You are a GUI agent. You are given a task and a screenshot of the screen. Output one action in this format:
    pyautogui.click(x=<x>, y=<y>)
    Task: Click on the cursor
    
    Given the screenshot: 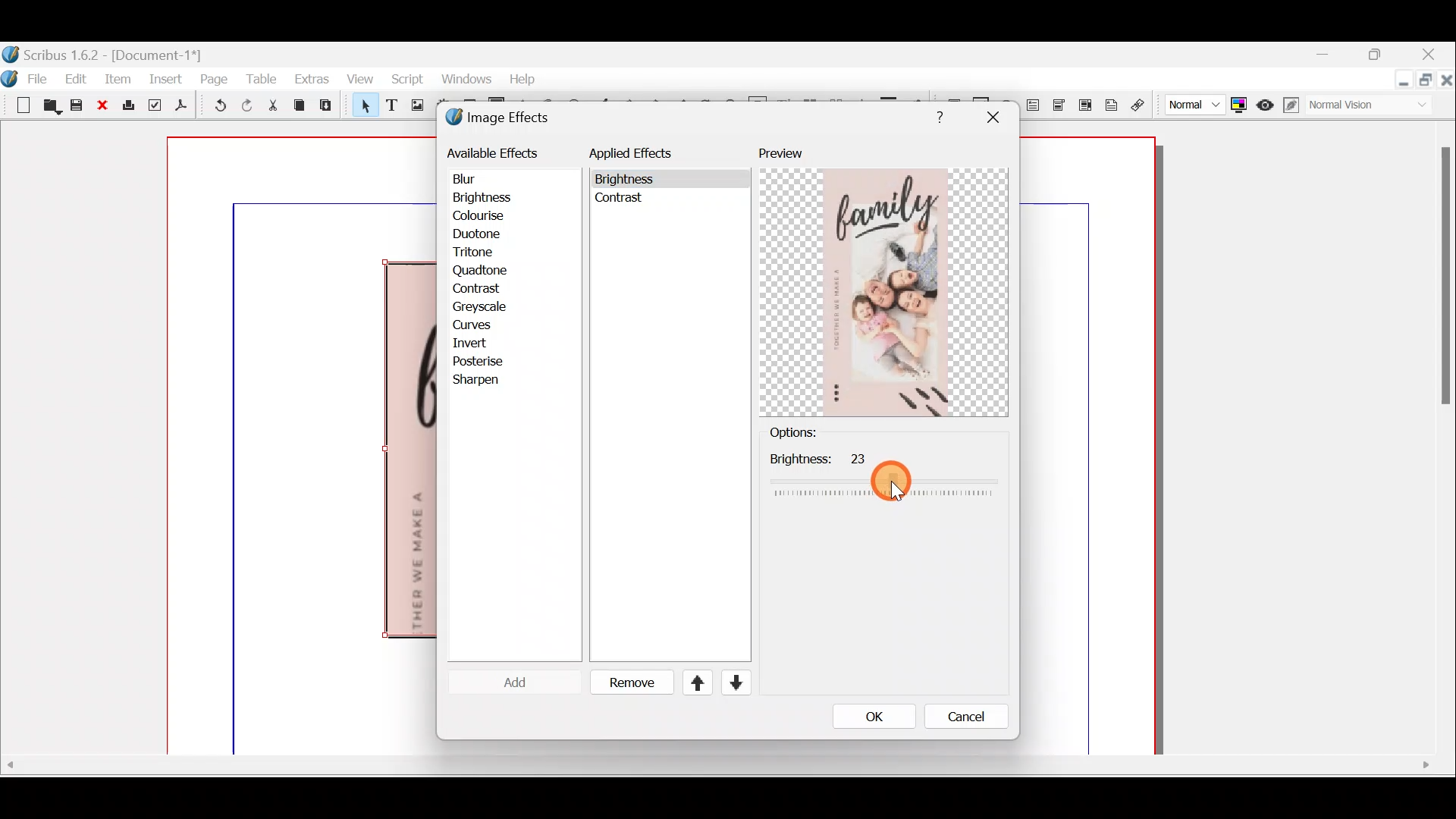 What is the action you would take?
    pyautogui.click(x=894, y=485)
    